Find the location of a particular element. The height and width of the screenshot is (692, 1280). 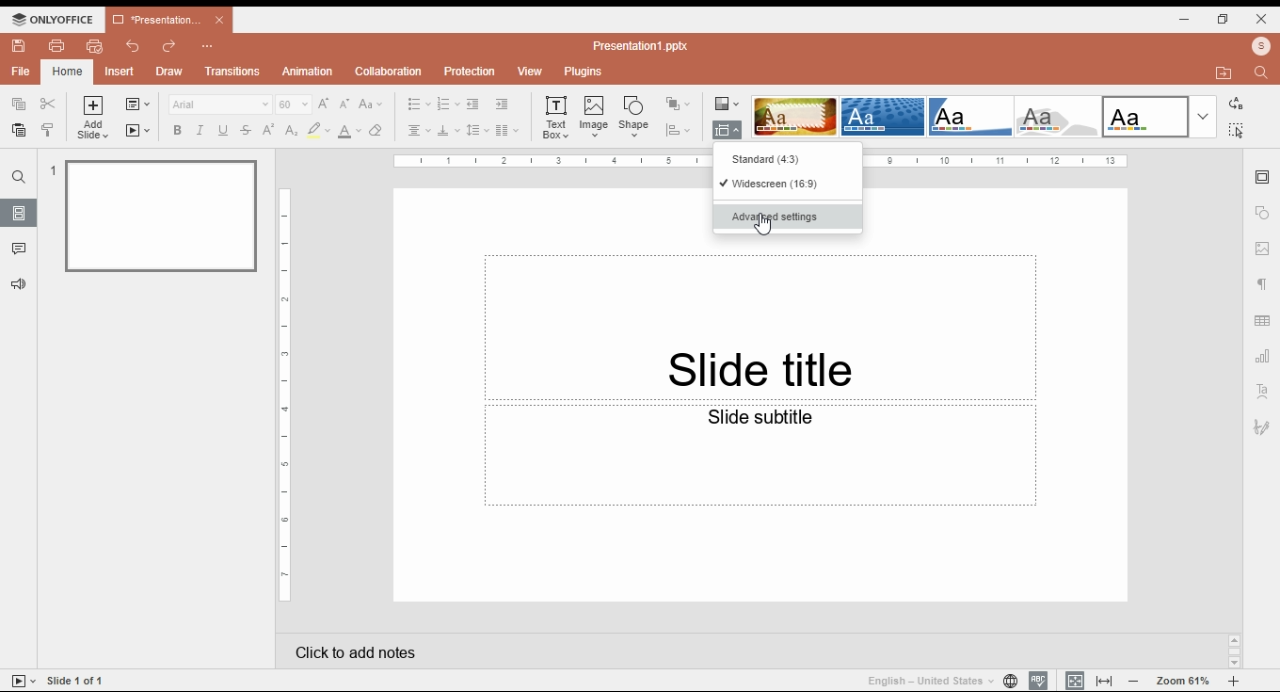

cut is located at coordinates (49, 103).